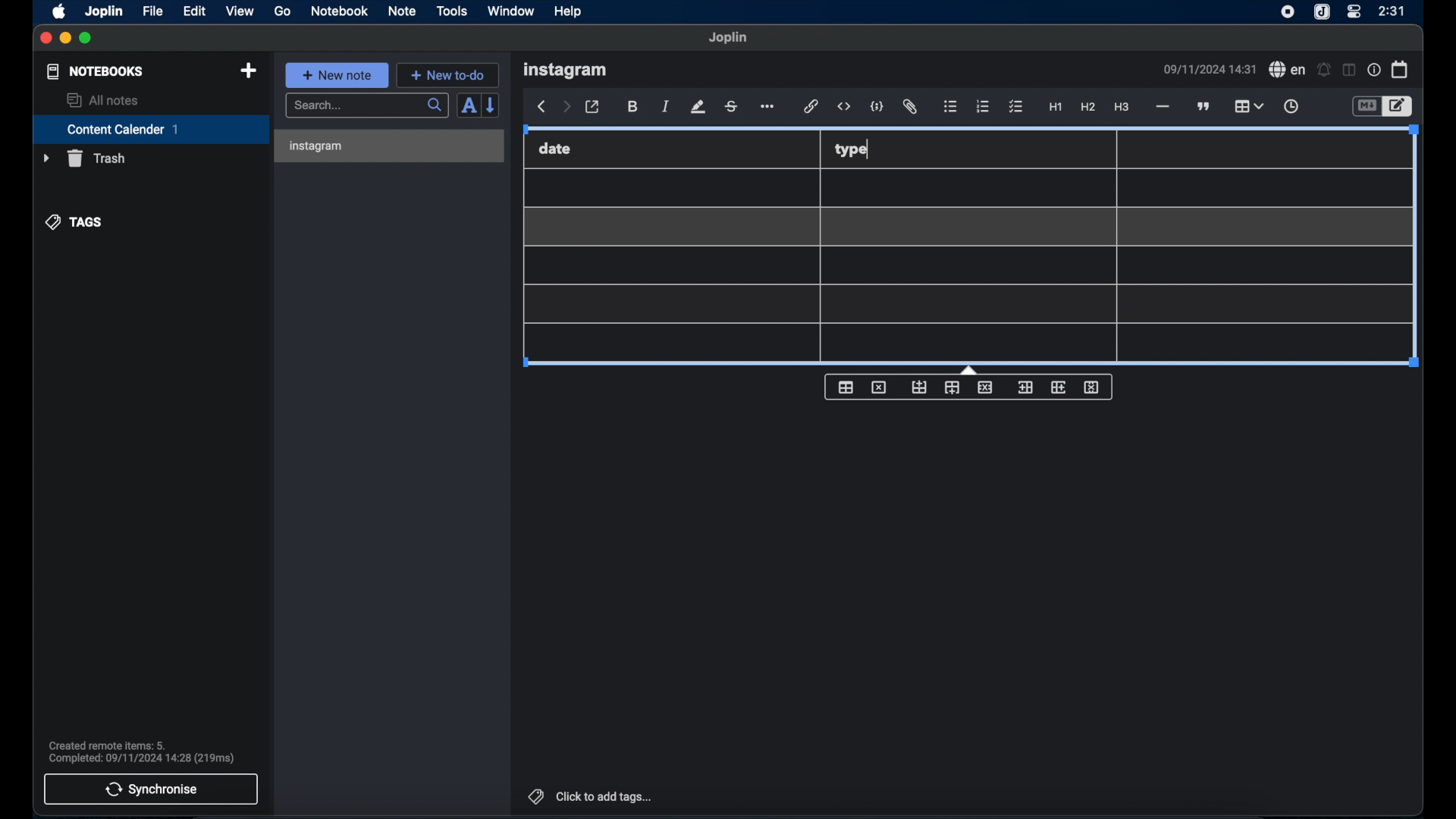 This screenshot has width=1456, height=819. I want to click on strikethrough, so click(730, 108).